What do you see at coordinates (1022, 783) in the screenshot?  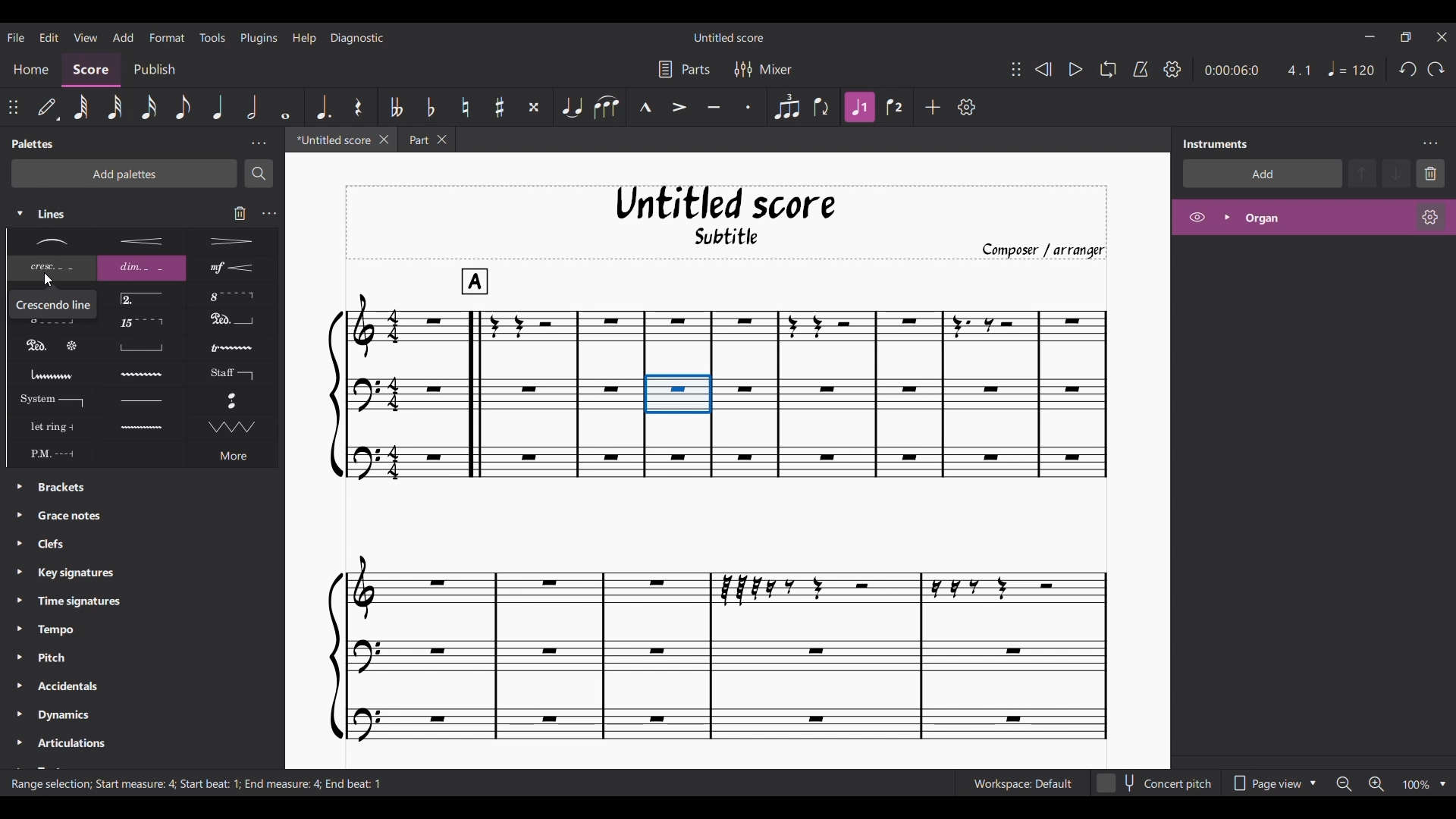 I see `Current Workspace setting` at bounding box center [1022, 783].